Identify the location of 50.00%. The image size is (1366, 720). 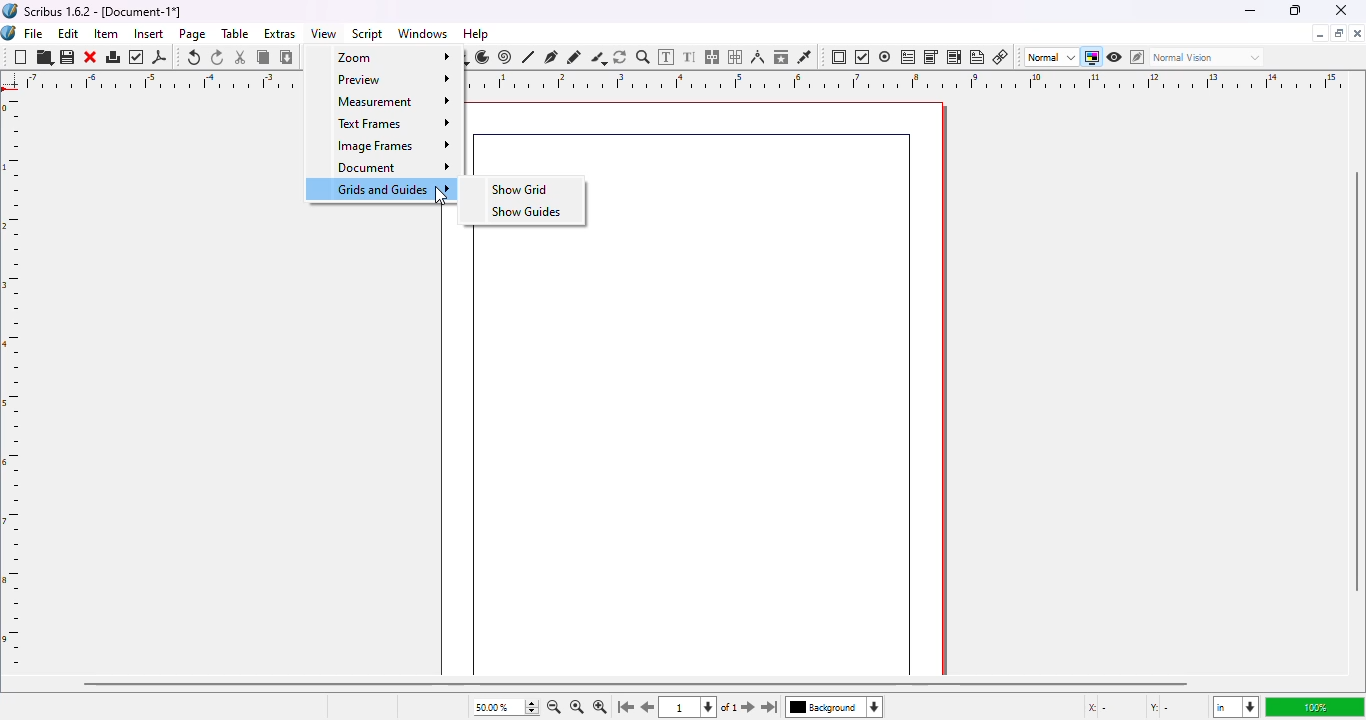
(487, 707).